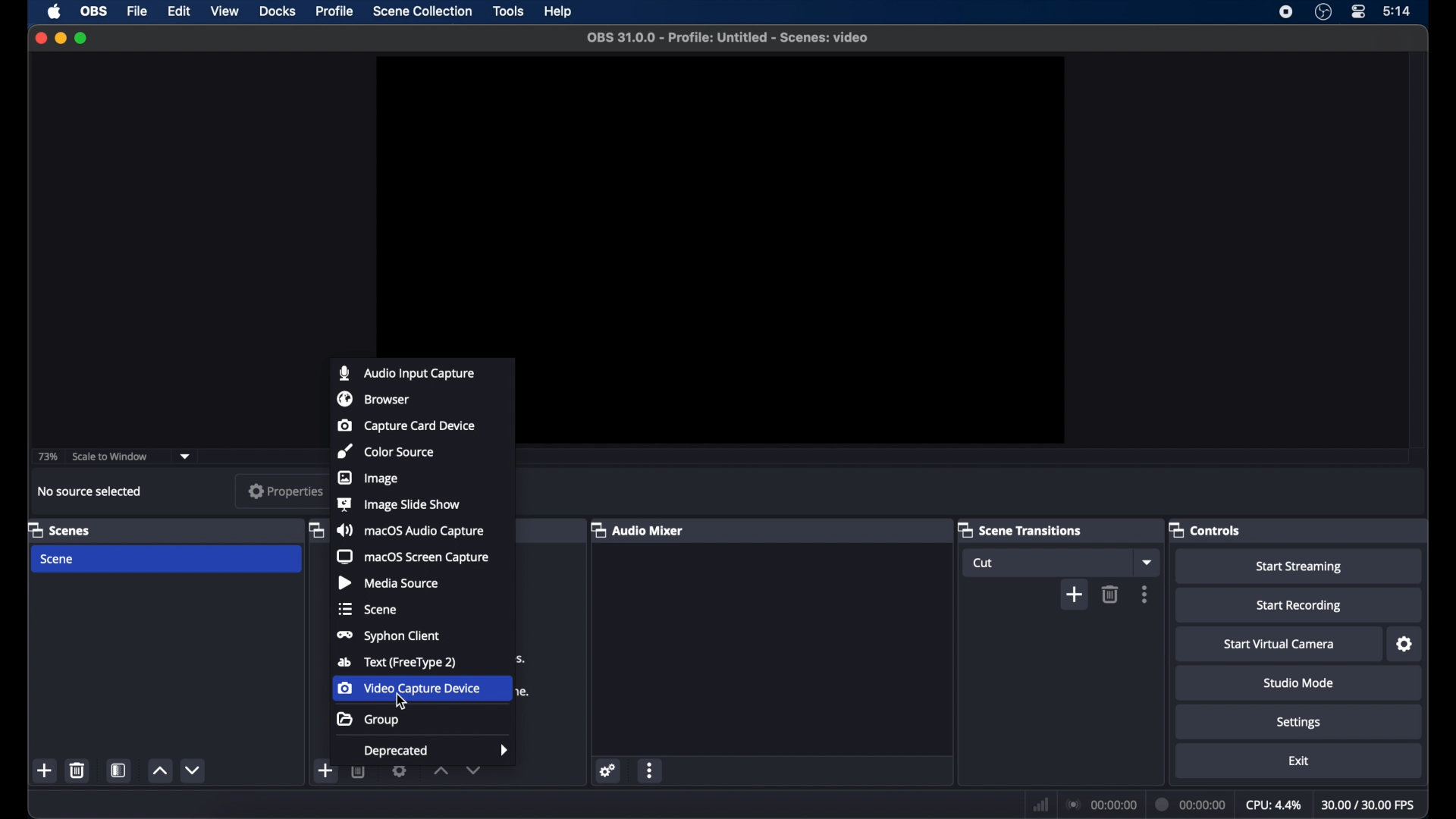 The width and height of the screenshot is (1456, 819). What do you see at coordinates (359, 774) in the screenshot?
I see `delete` at bounding box center [359, 774].